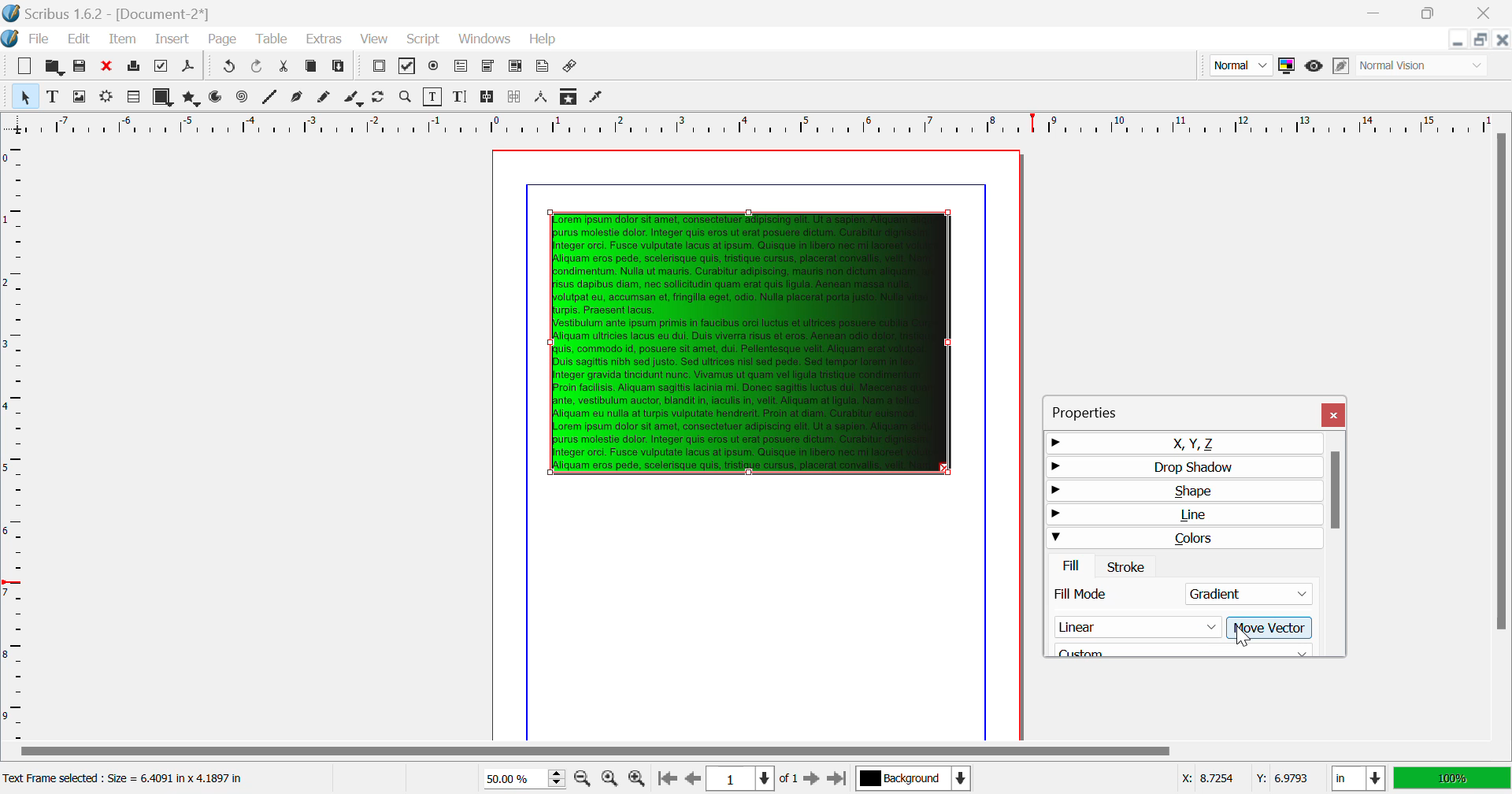  I want to click on Cursor Coordinates, so click(1244, 779).